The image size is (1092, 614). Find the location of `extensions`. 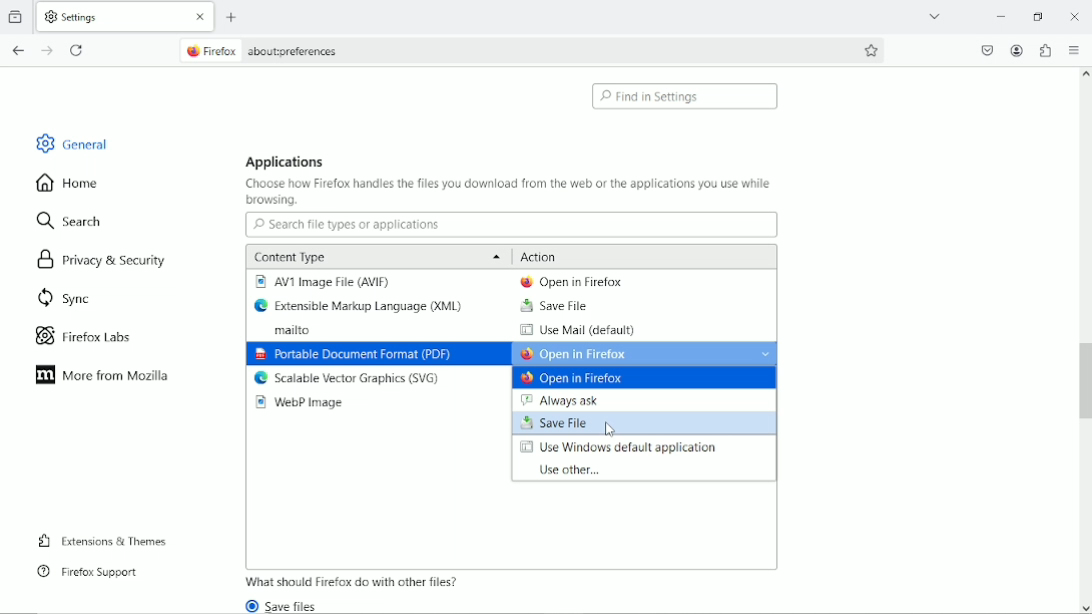

extensions is located at coordinates (1045, 50).